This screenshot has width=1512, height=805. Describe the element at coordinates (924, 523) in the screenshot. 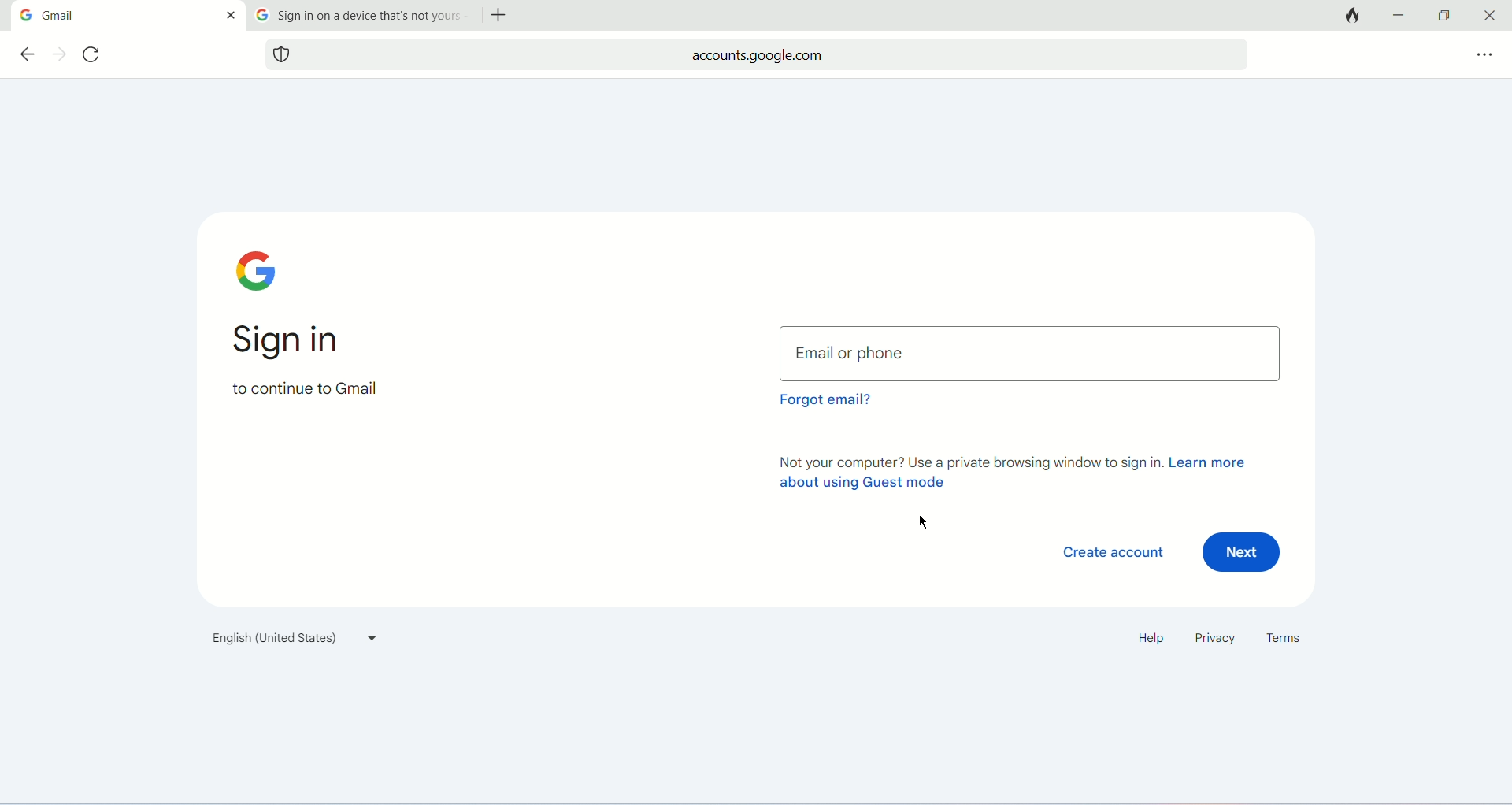

I see `mouse pointer` at that location.